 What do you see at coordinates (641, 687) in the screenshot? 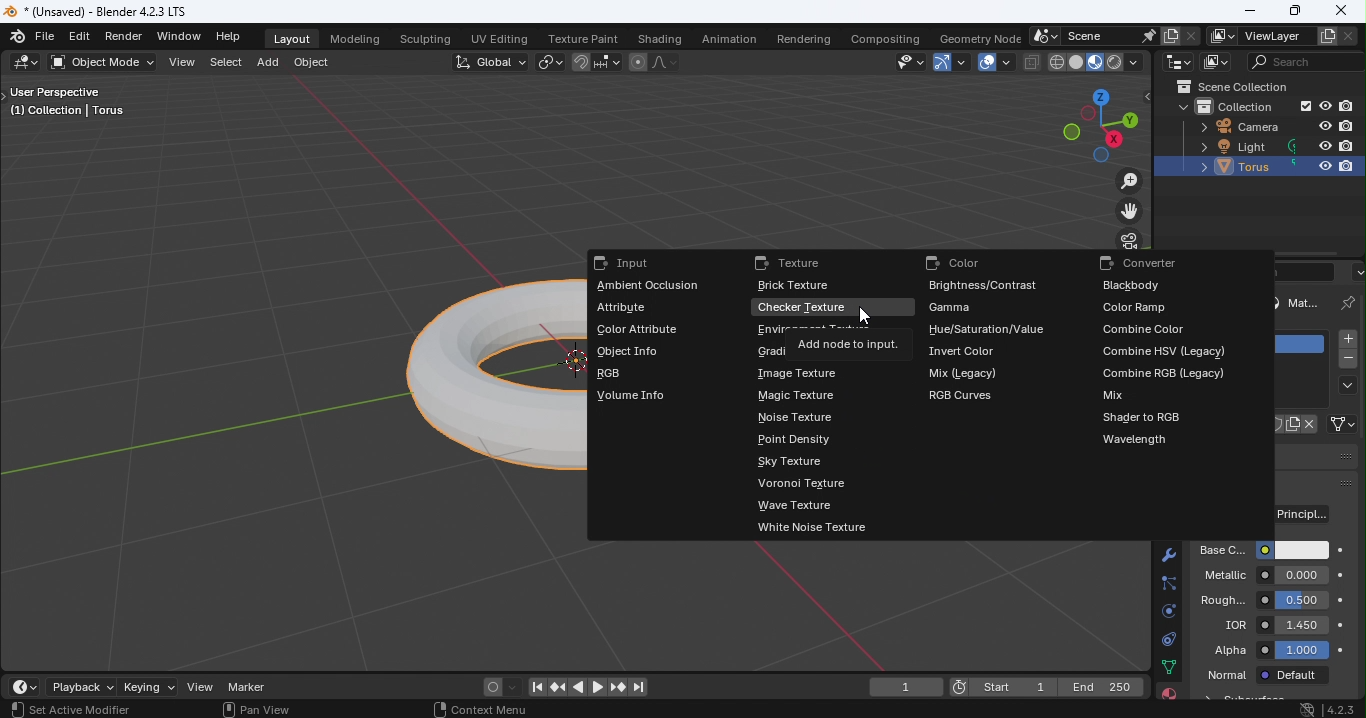
I see `Jump to first/last frame in frame range` at bounding box center [641, 687].